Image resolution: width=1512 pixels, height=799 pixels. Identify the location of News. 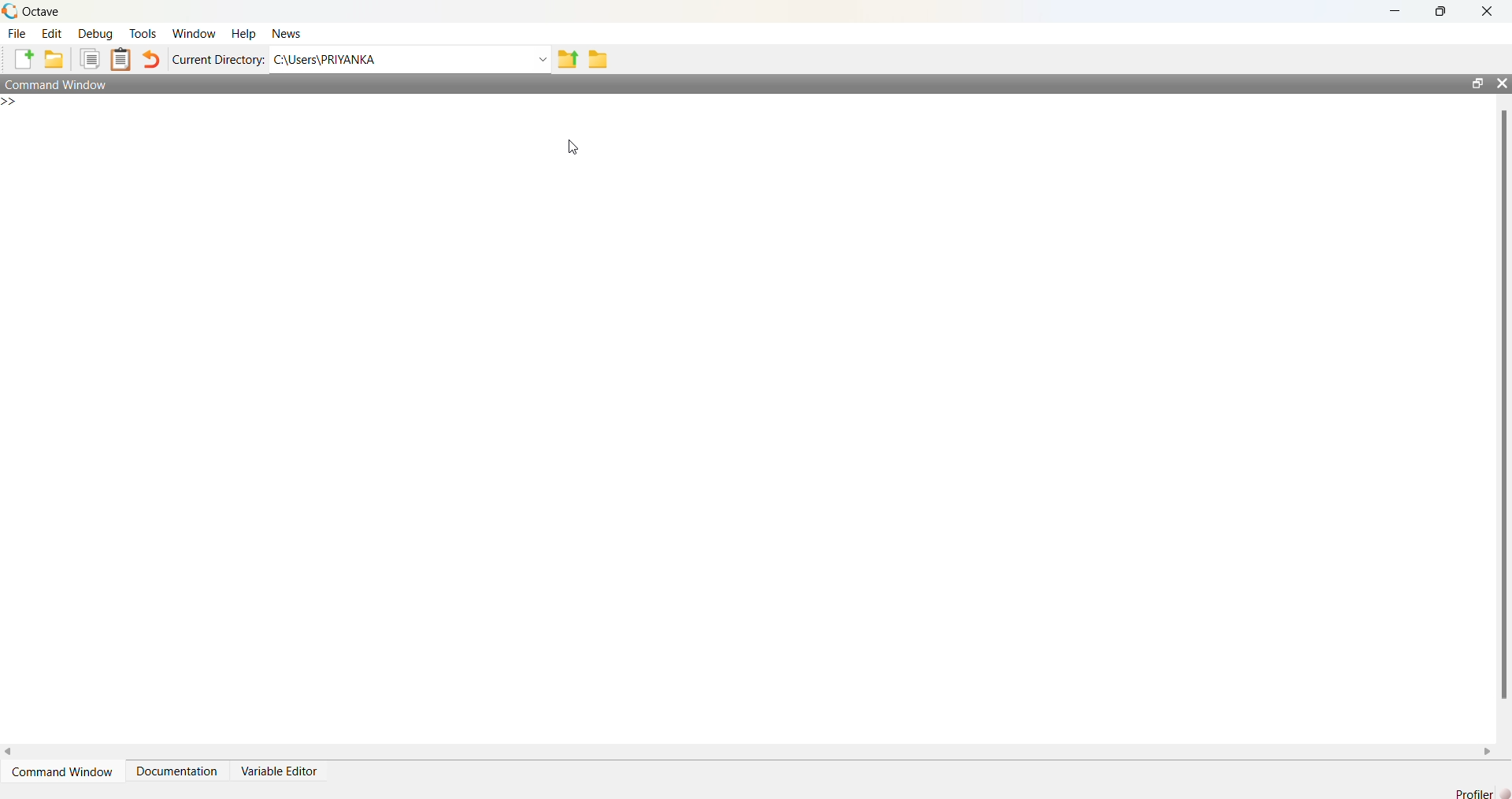
(286, 33).